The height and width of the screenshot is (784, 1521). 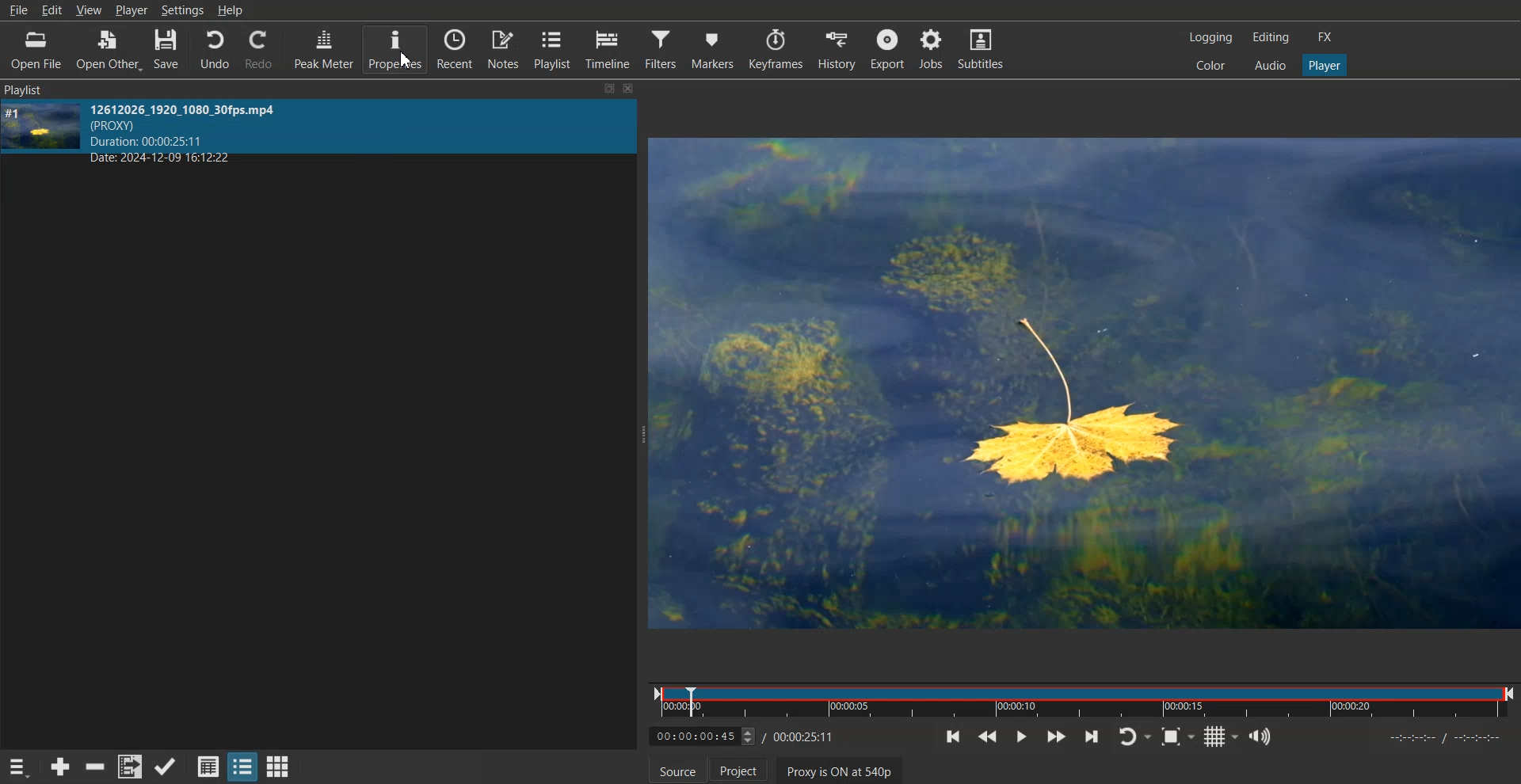 What do you see at coordinates (1270, 38) in the screenshot?
I see `Editing` at bounding box center [1270, 38].